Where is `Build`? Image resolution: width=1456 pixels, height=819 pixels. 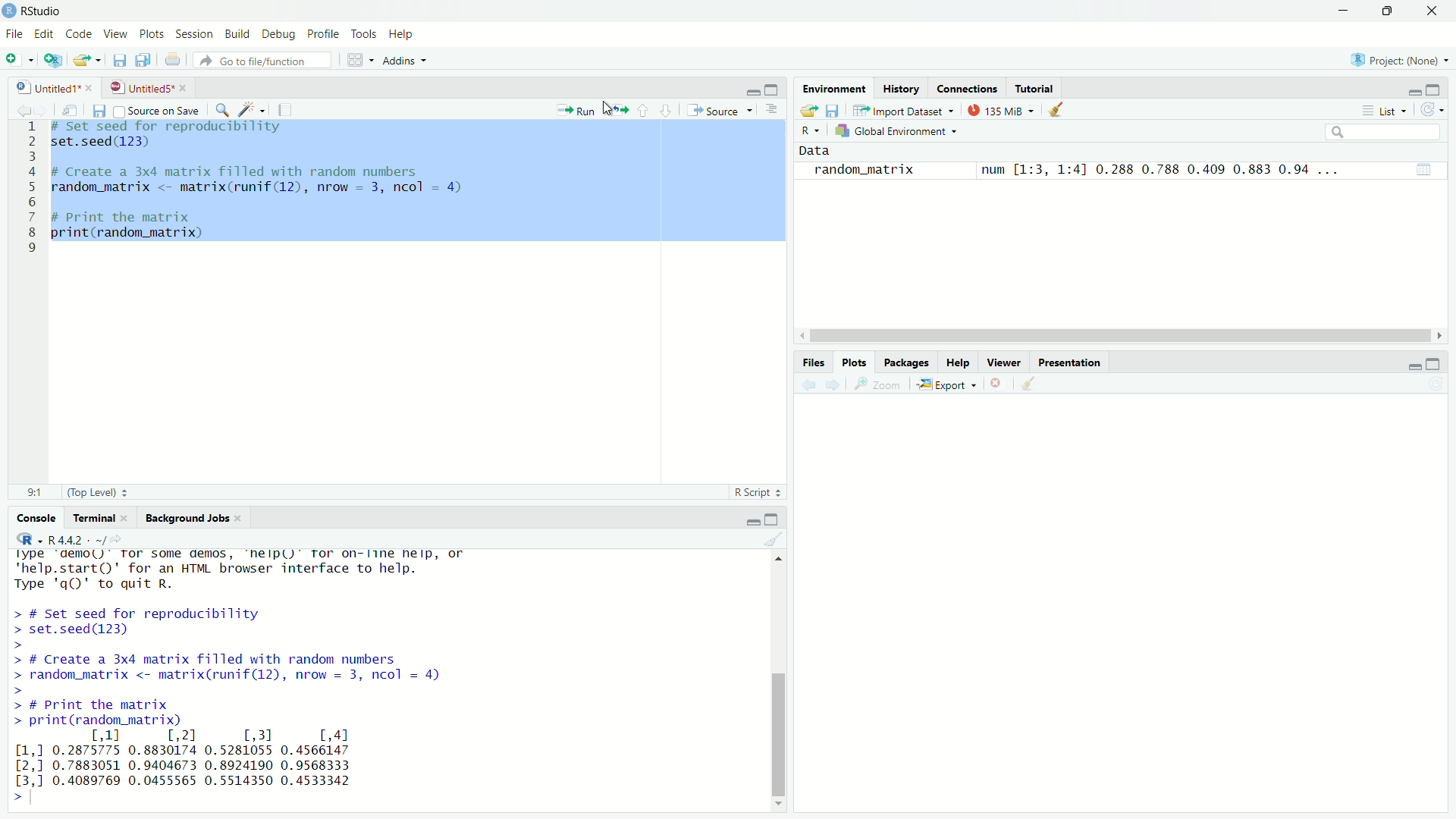 Build is located at coordinates (237, 31).